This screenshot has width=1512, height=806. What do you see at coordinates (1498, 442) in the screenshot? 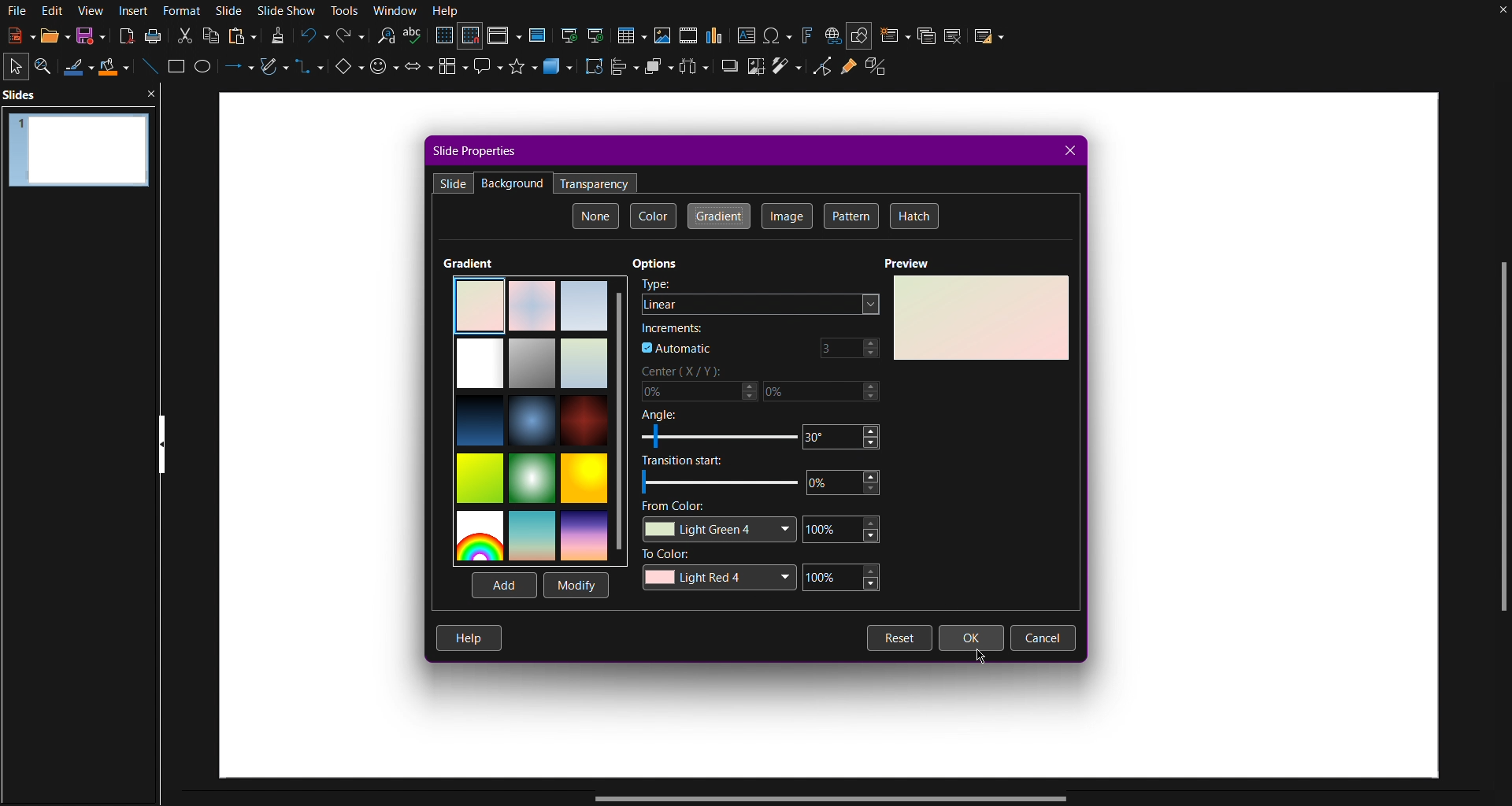
I see `Scrollbar` at bounding box center [1498, 442].